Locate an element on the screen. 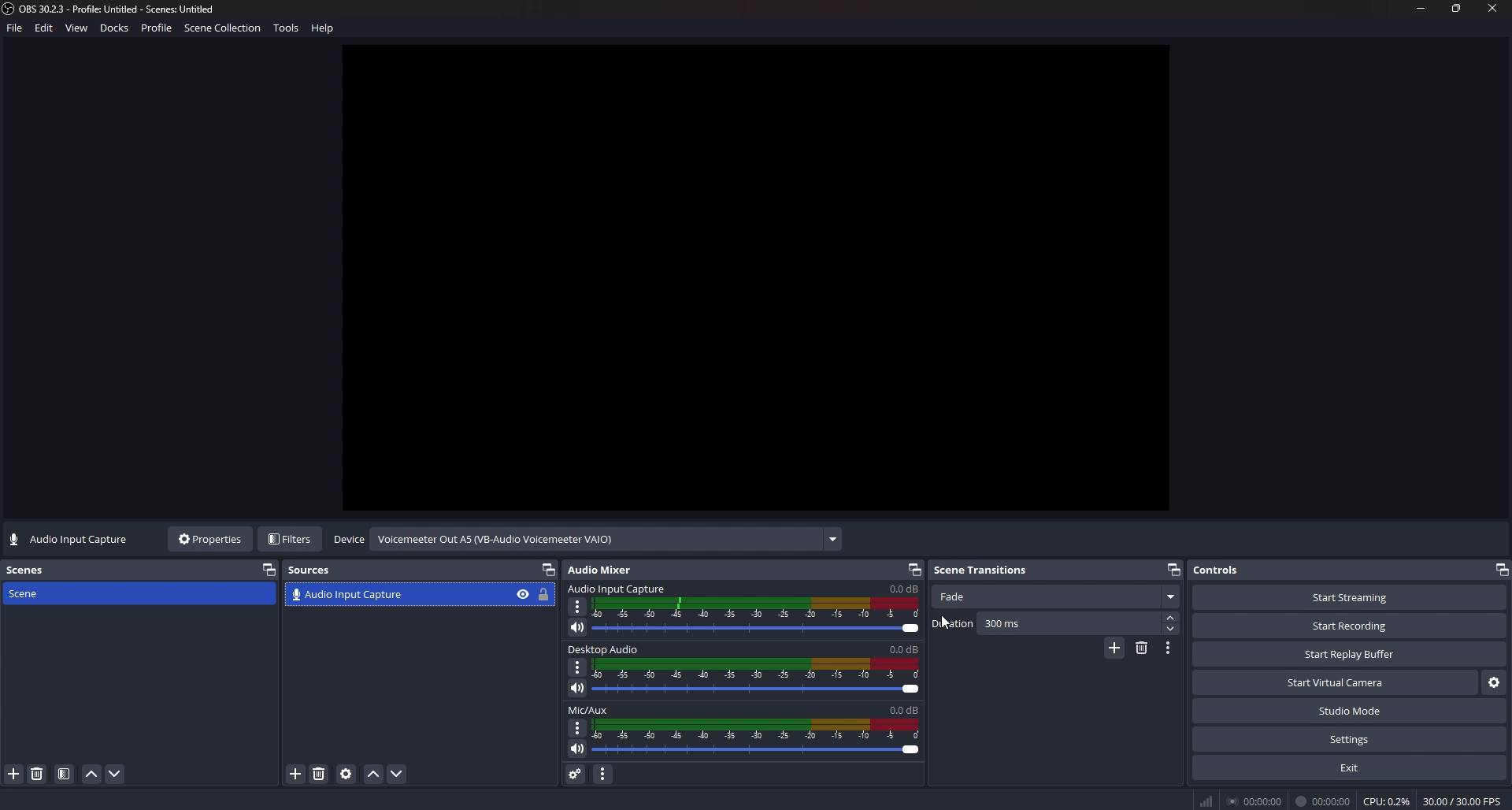 This screenshot has height=810, width=1512. start streaming is located at coordinates (1350, 597).